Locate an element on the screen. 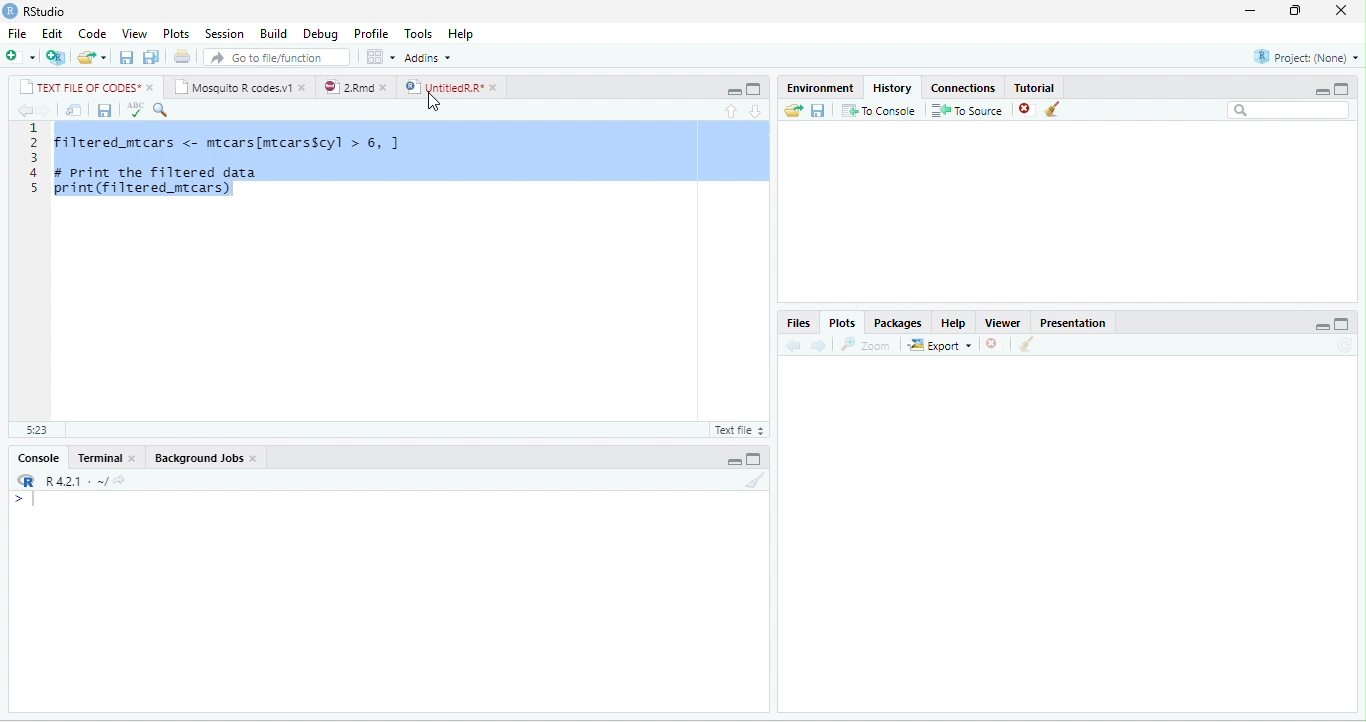 The height and width of the screenshot is (722, 1366). close is located at coordinates (304, 89).